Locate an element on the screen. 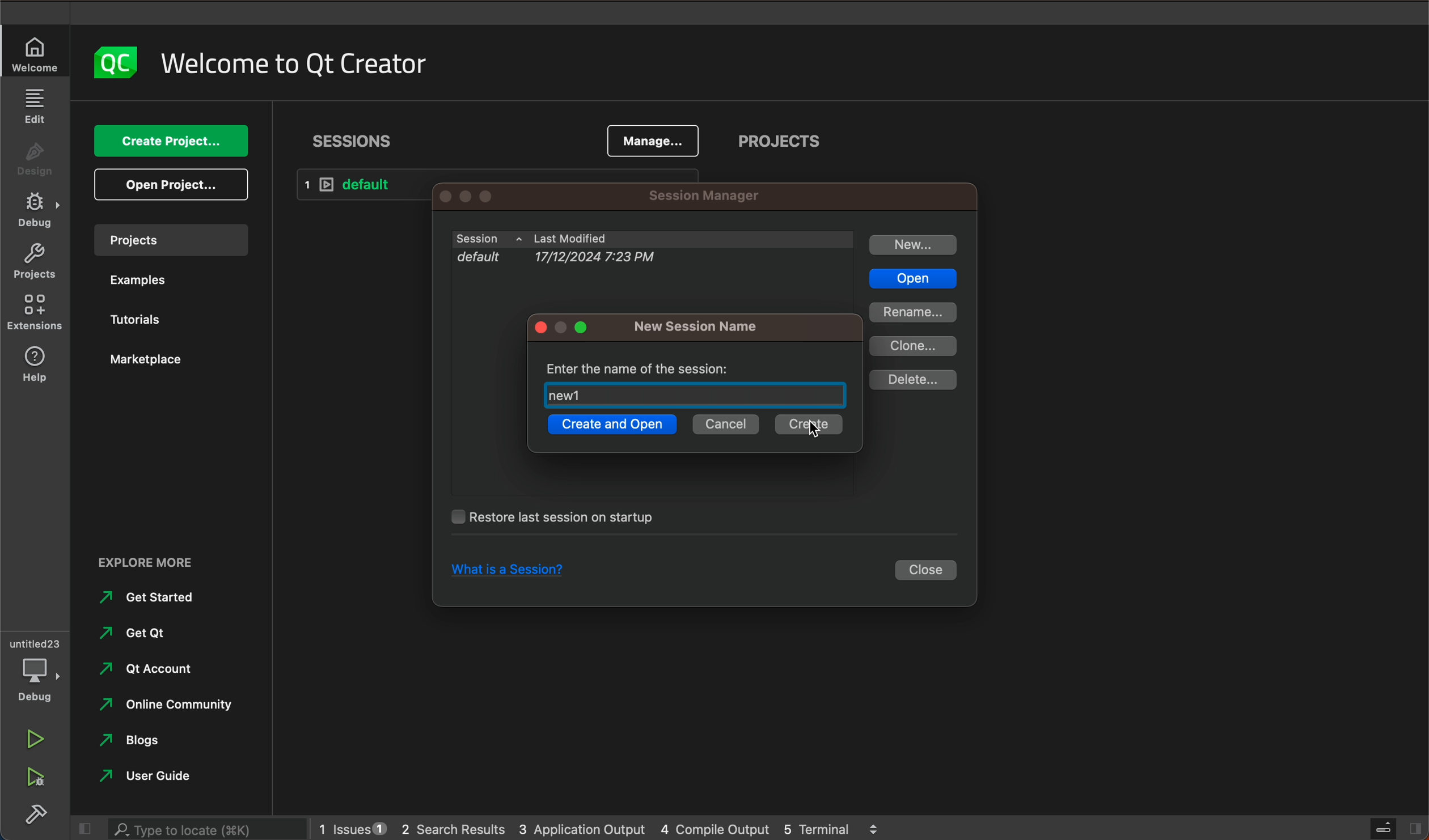 This screenshot has width=1429, height=840. sessions is located at coordinates (354, 141).